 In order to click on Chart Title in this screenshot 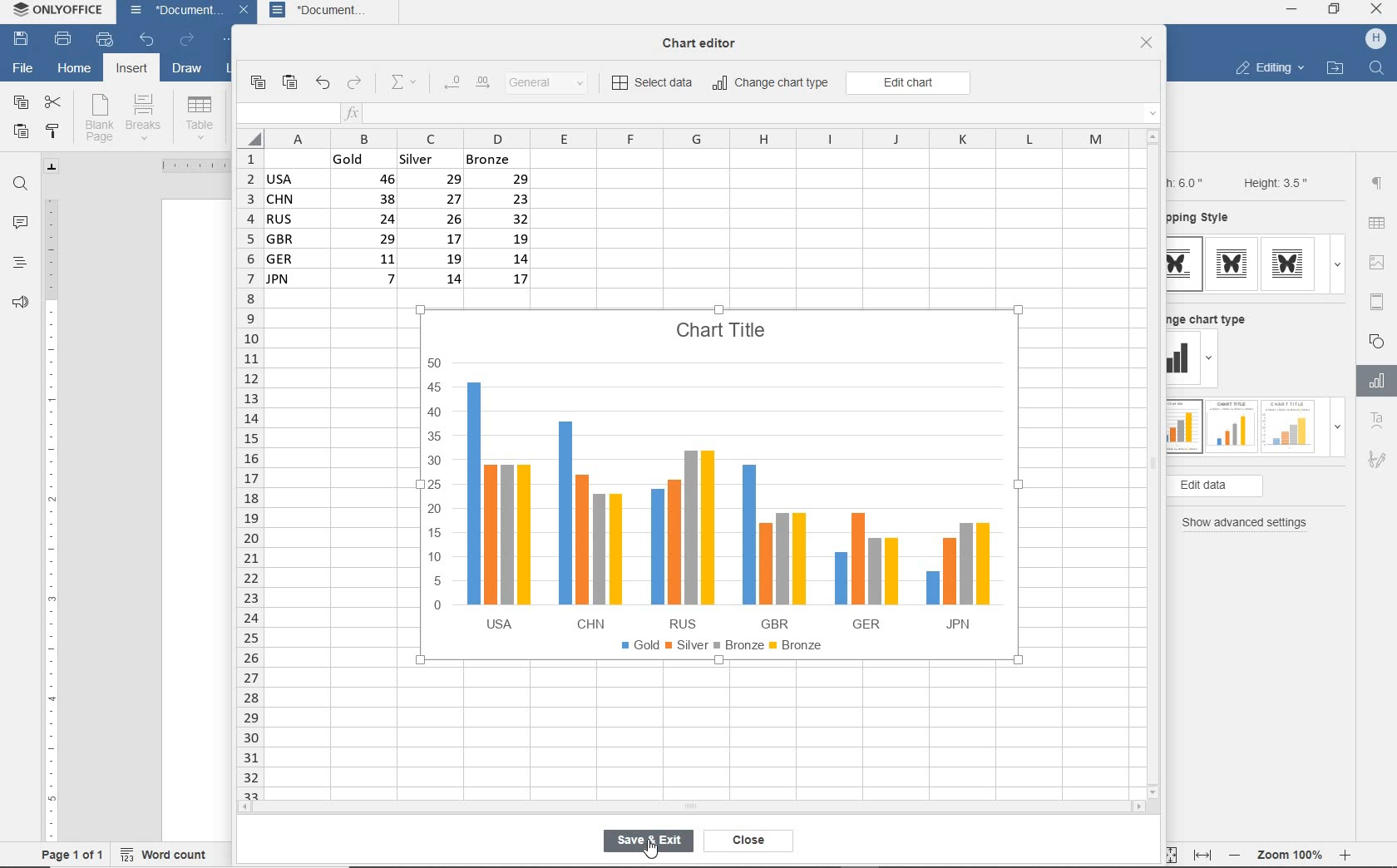, I will do `click(723, 321)`.